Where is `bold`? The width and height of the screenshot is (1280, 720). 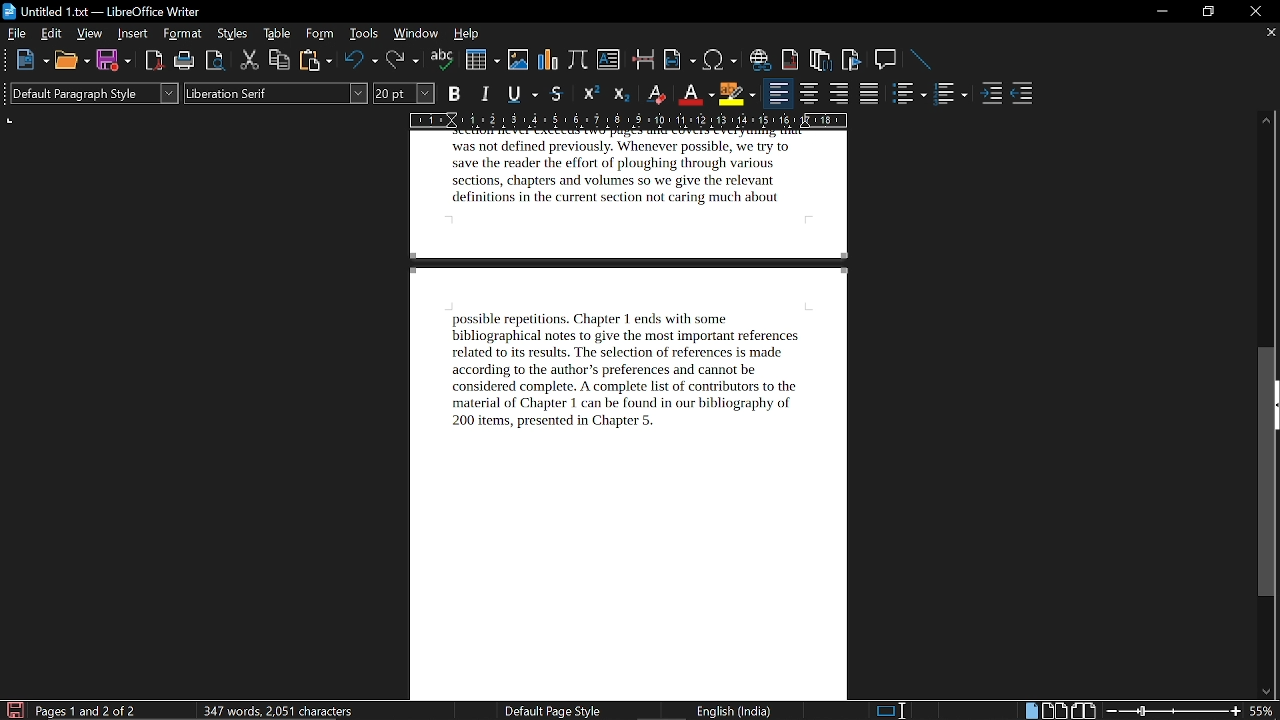 bold is located at coordinates (455, 94).